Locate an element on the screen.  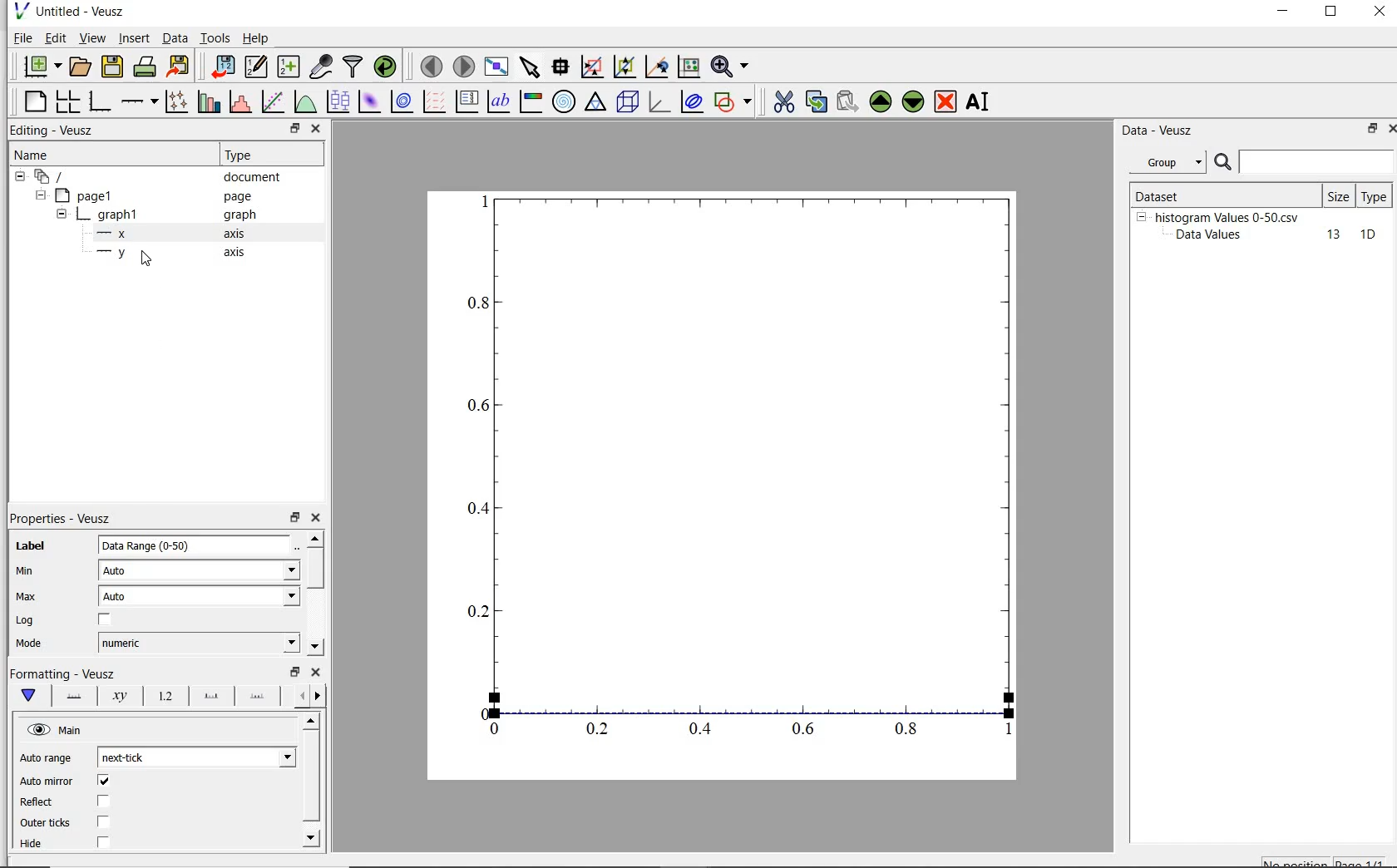
auto is located at coordinates (201, 596).